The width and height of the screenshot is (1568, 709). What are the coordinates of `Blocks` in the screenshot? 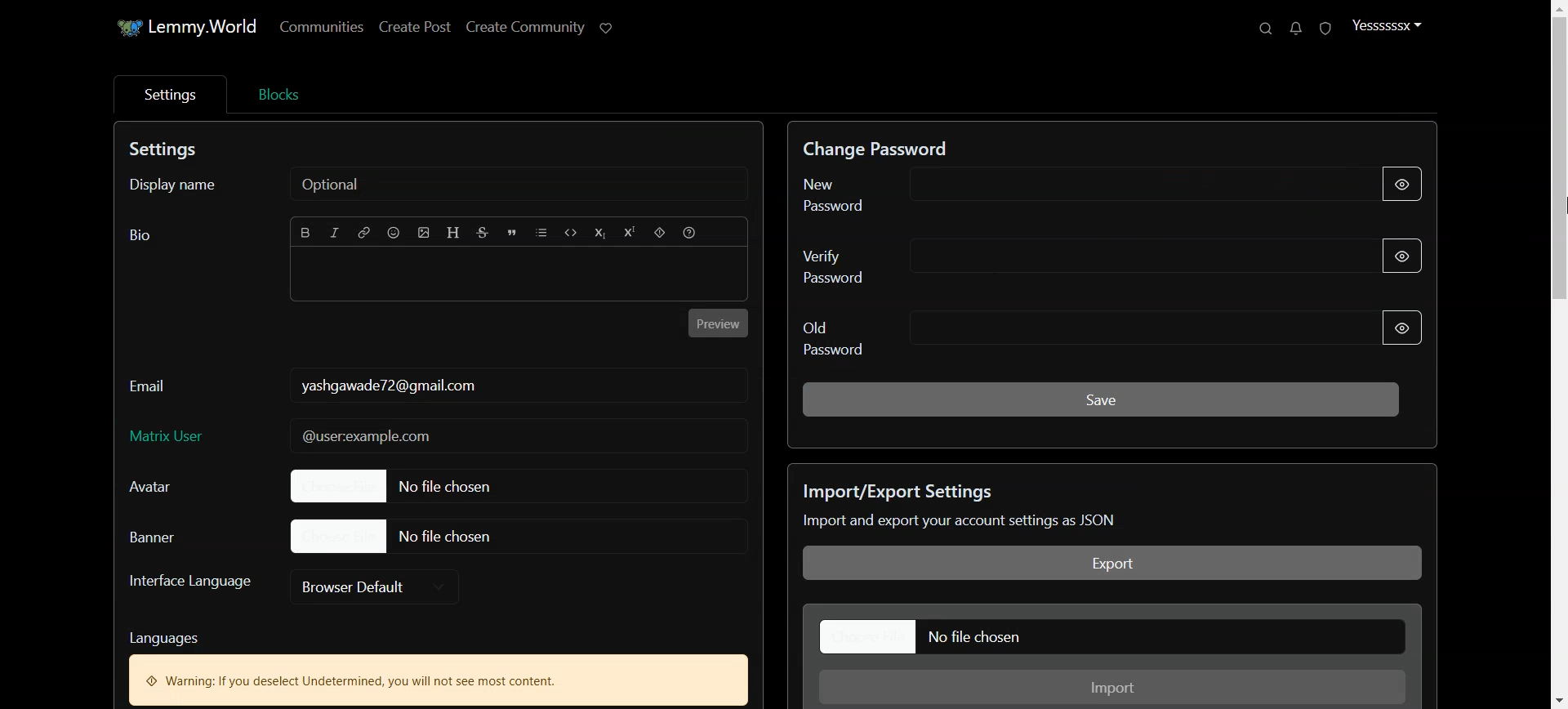 It's located at (279, 94).